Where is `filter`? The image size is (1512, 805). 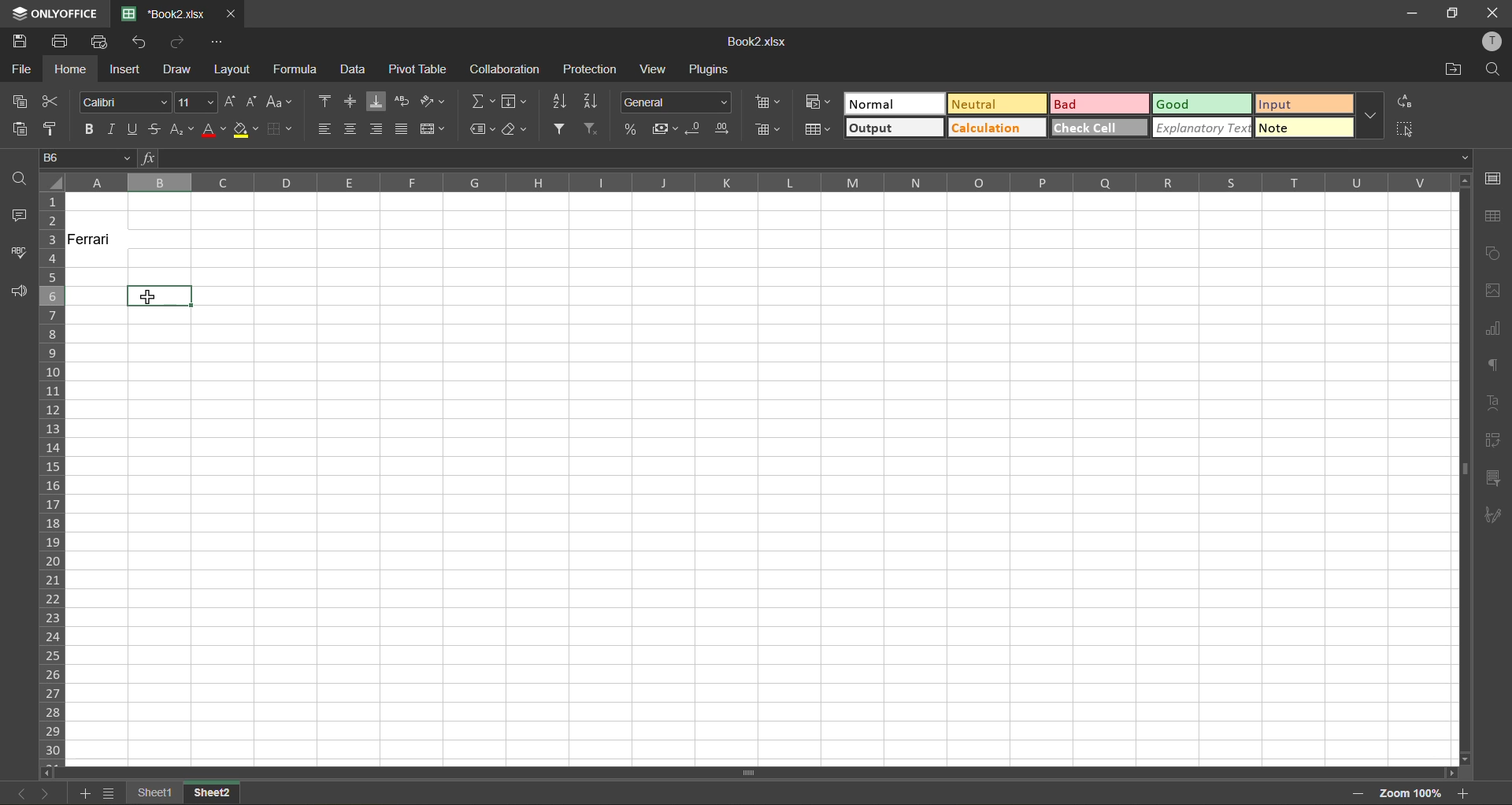 filter is located at coordinates (558, 128).